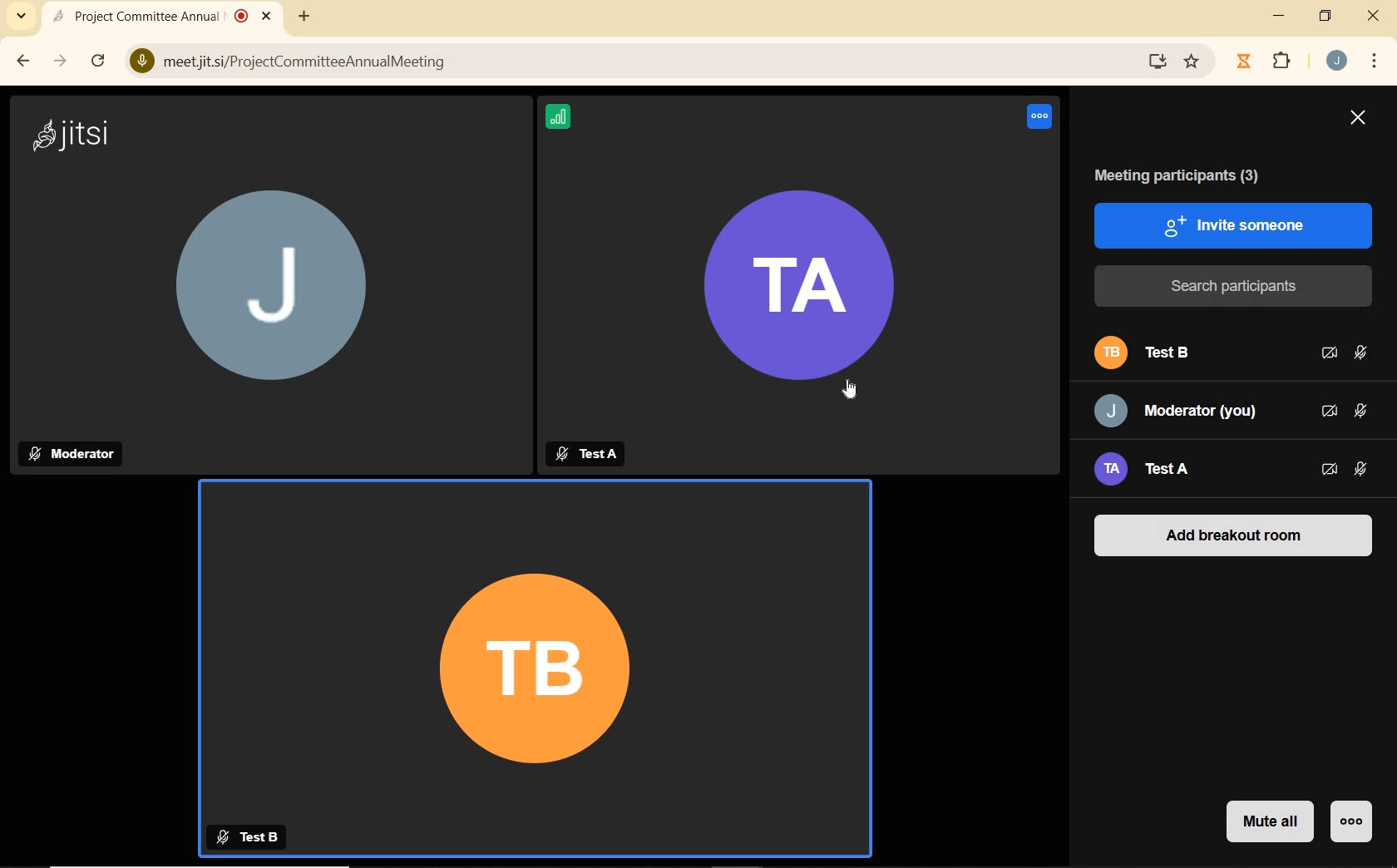  Describe the element at coordinates (1166, 468) in the screenshot. I see `PARTICIPANT A` at that location.